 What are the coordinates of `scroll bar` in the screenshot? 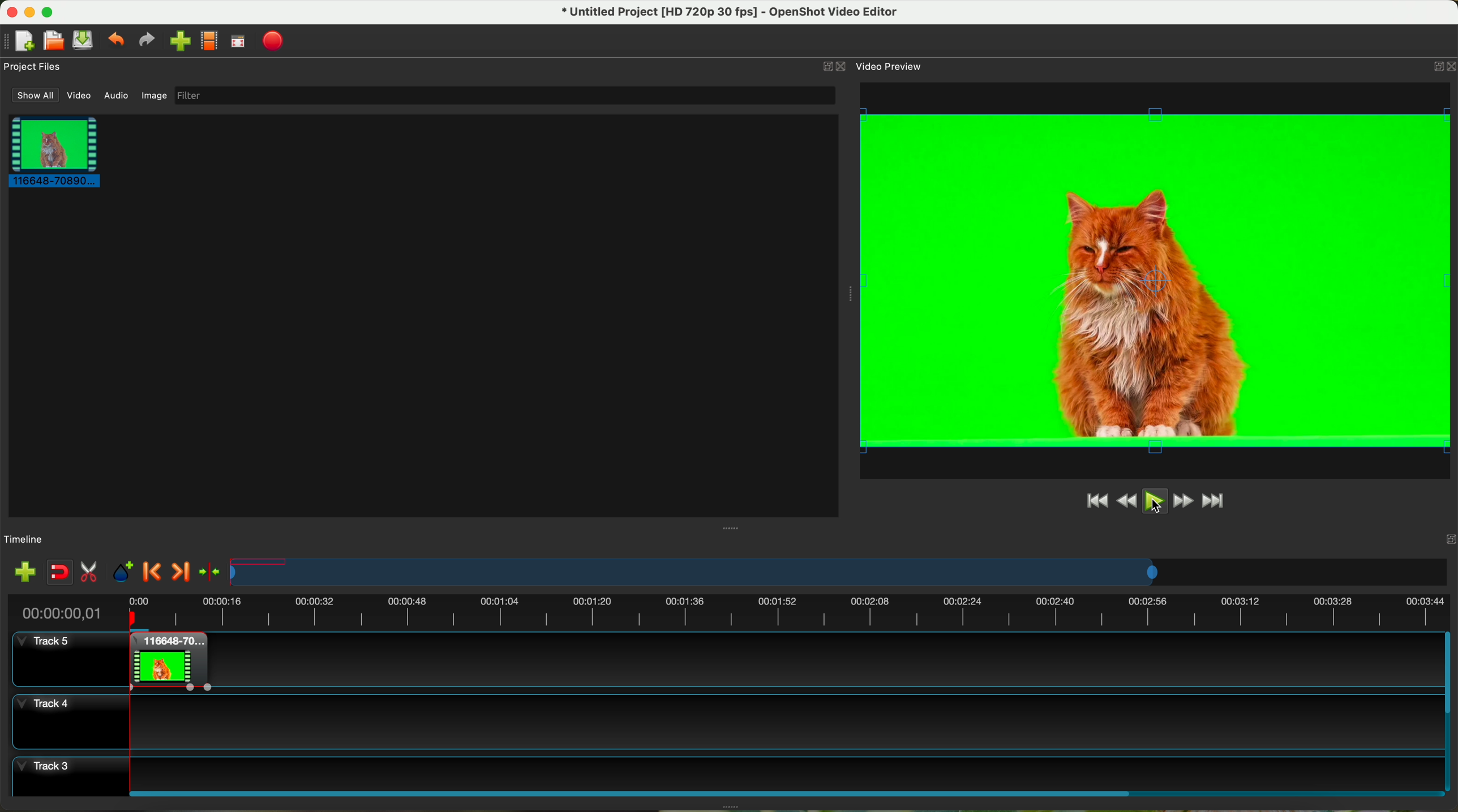 It's located at (1449, 711).